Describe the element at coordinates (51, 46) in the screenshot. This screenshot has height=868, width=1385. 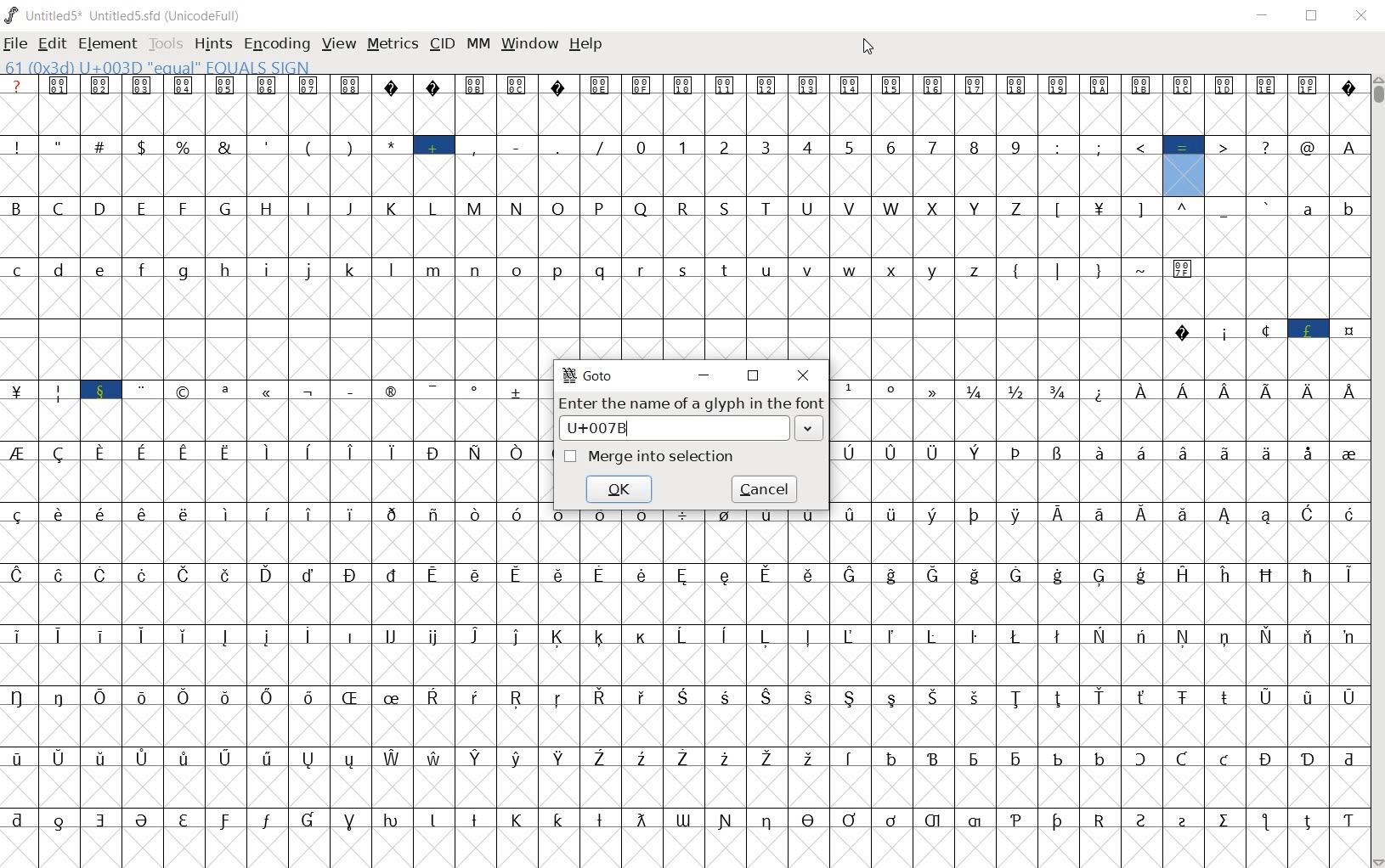
I see `edit` at that location.